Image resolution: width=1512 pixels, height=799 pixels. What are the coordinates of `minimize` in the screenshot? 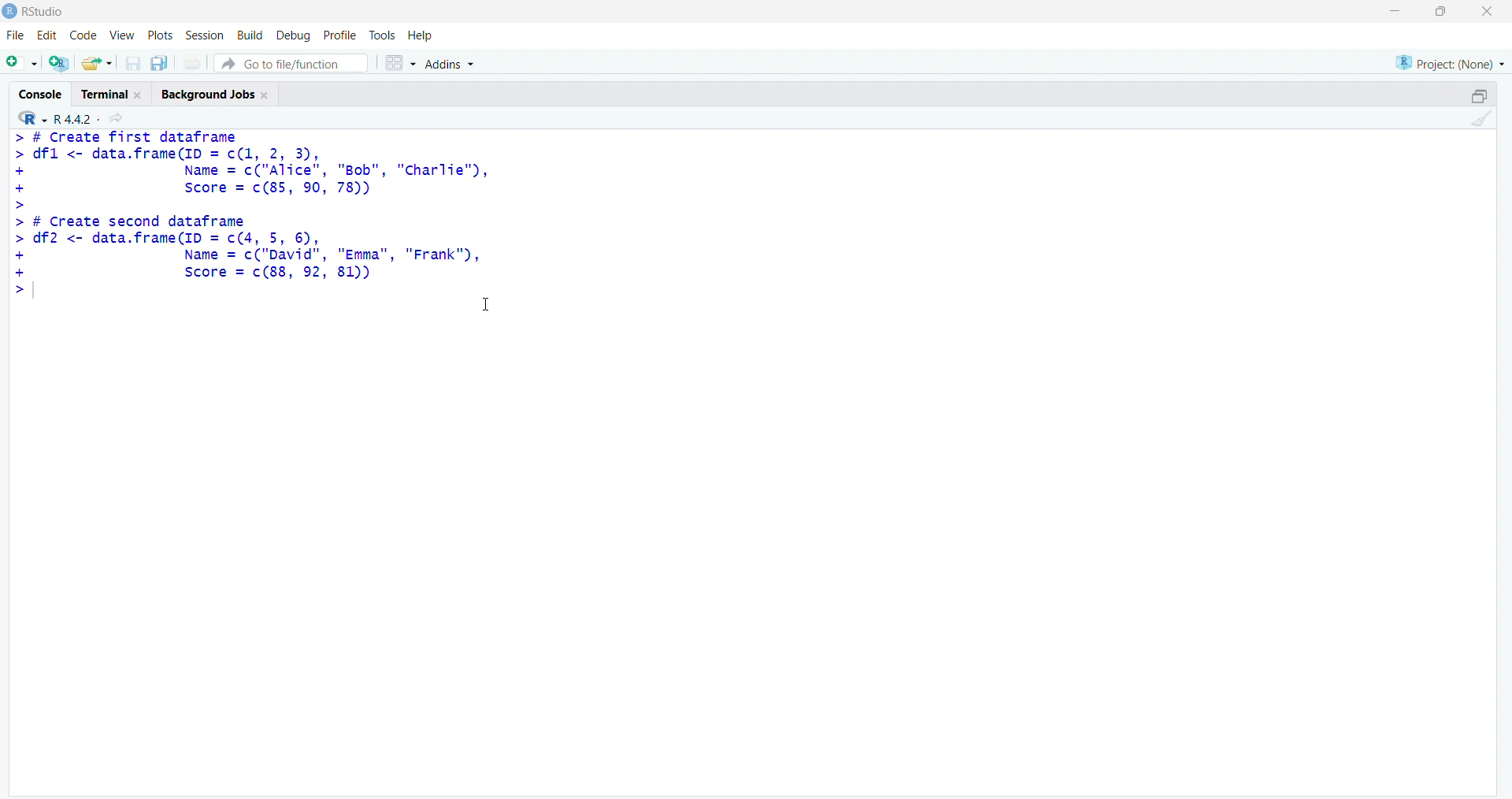 It's located at (1480, 96).